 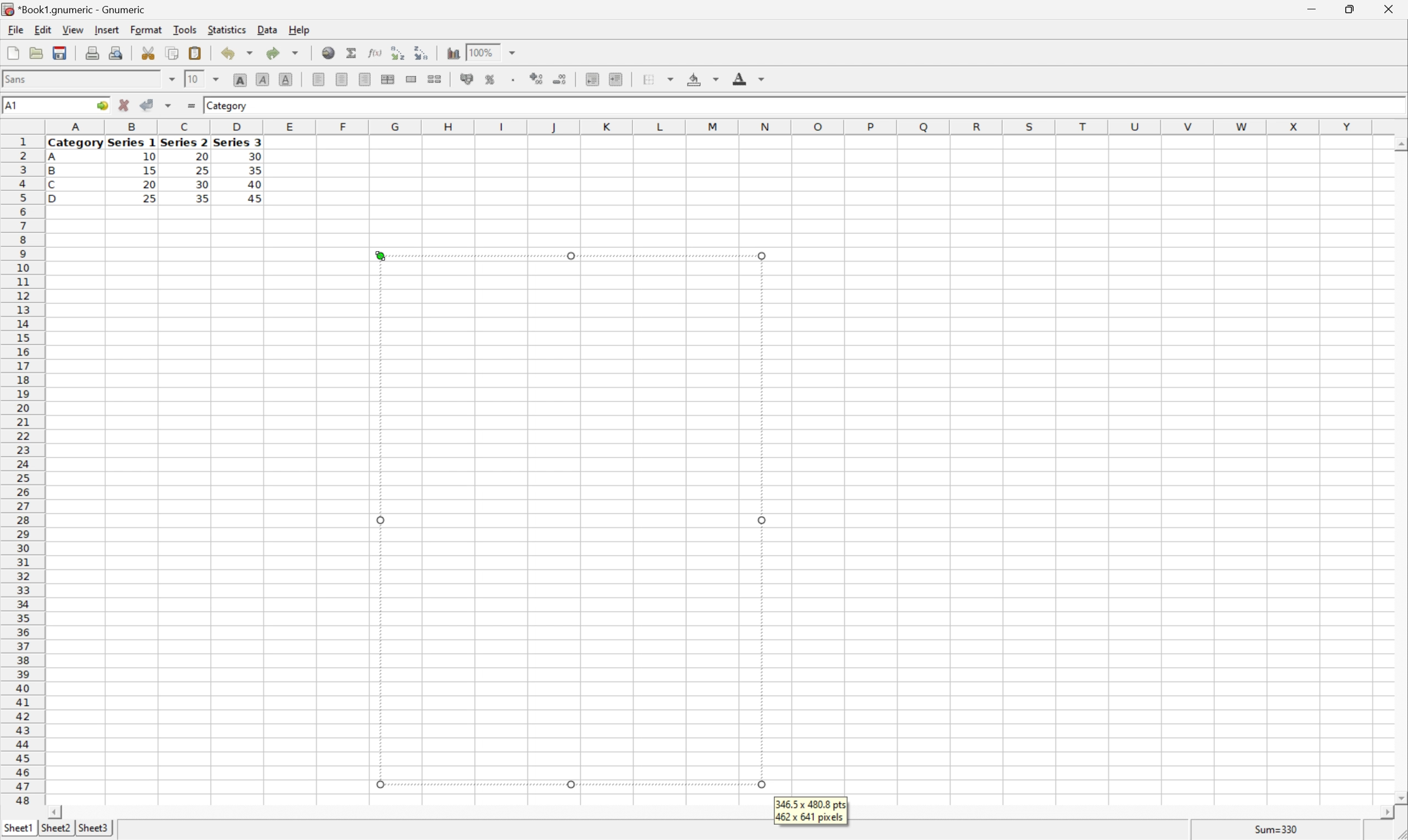 I want to click on Format, so click(x=146, y=29).